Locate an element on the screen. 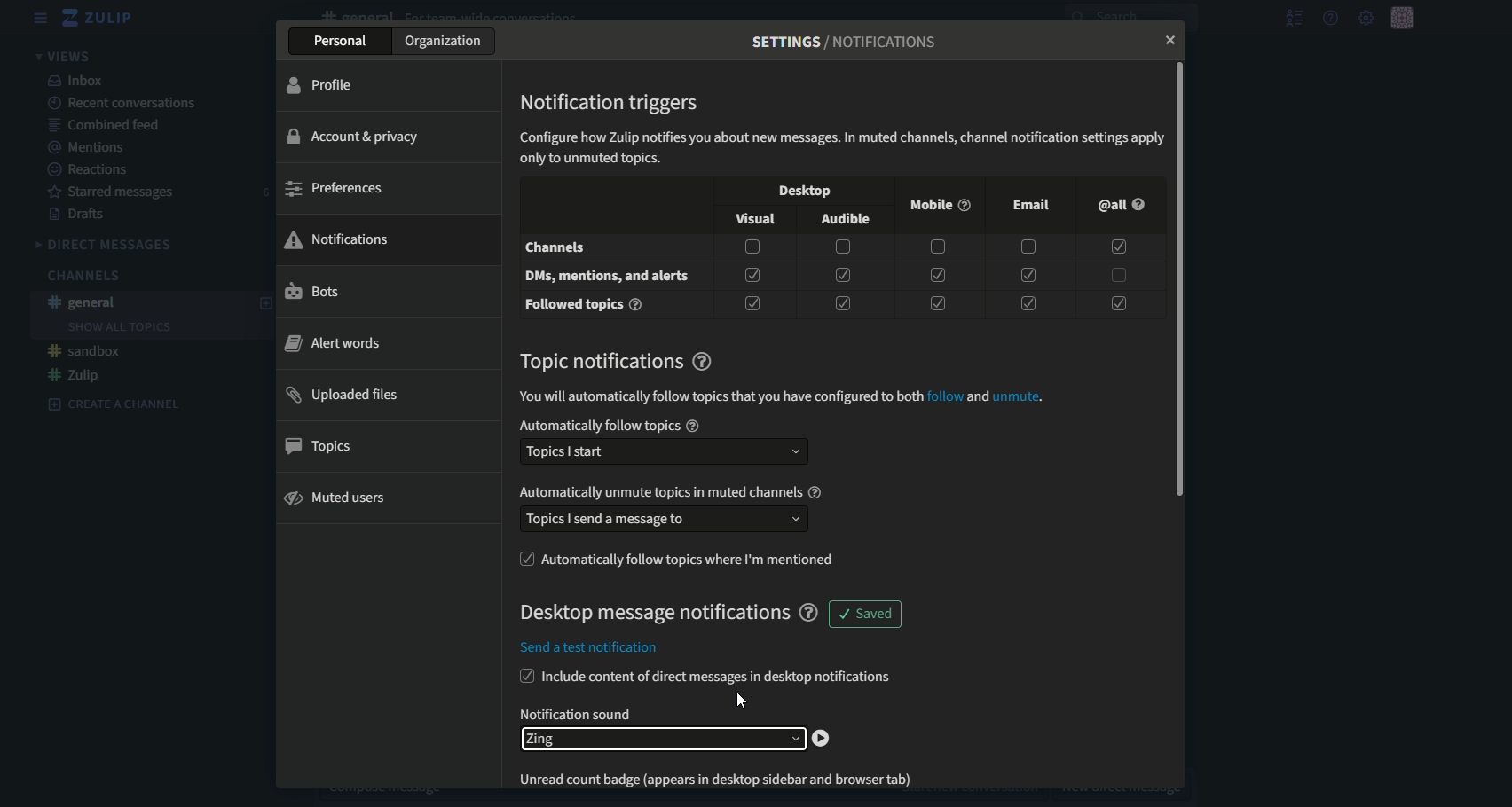 Image resolution: width=1512 pixels, height=807 pixels. dropdown is located at coordinates (659, 740).